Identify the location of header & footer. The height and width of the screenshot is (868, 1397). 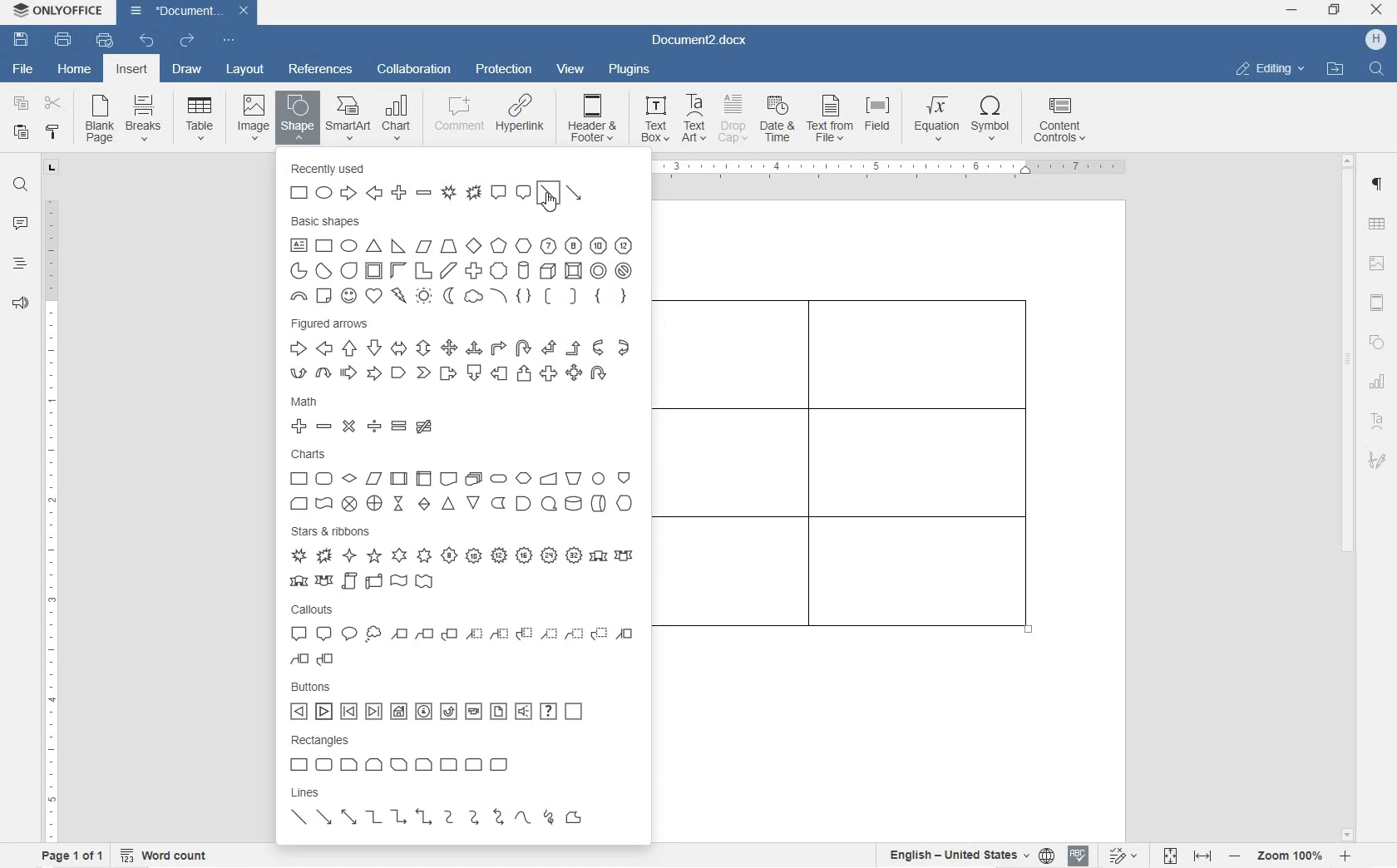
(1378, 303).